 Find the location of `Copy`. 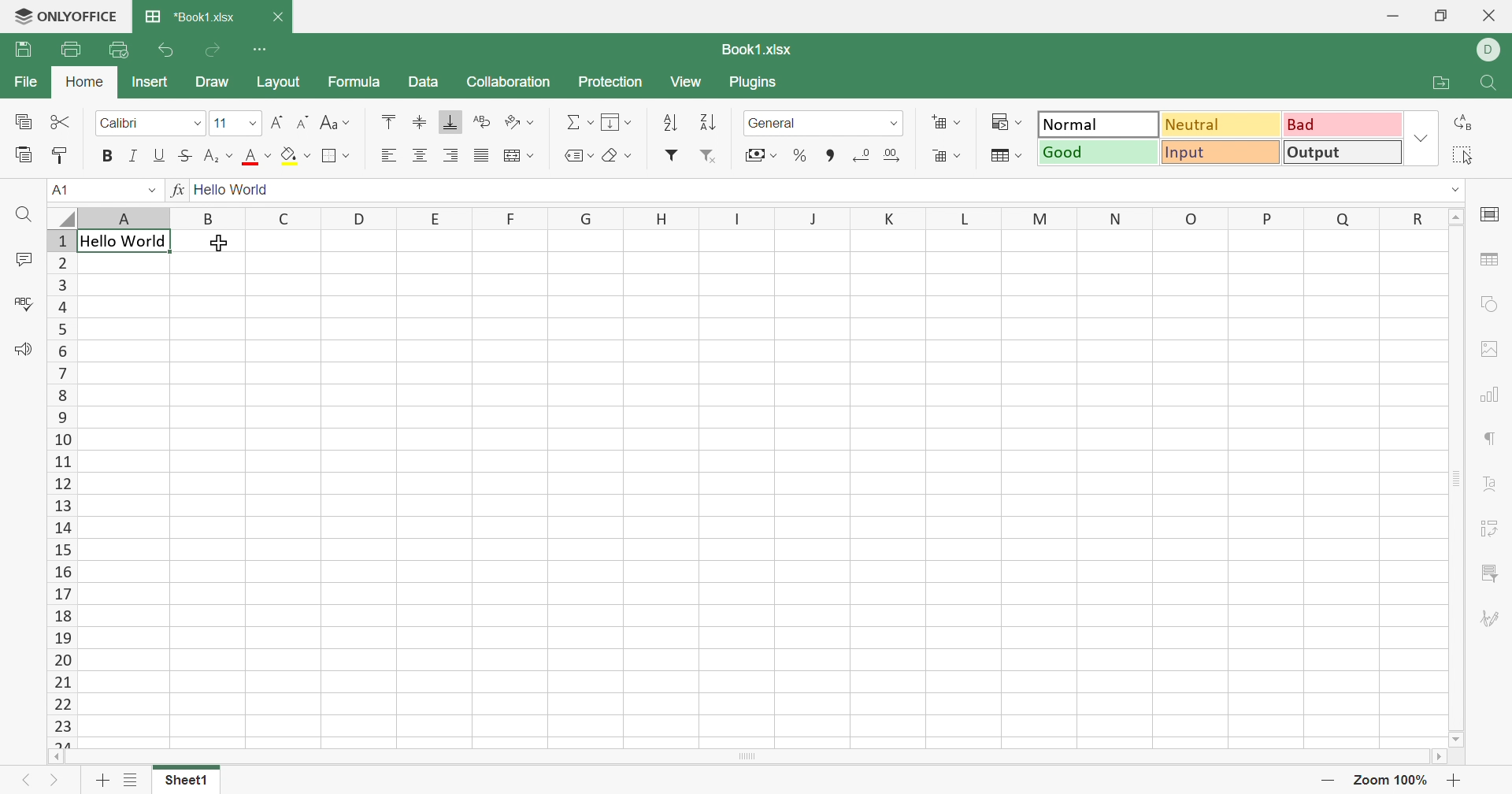

Copy is located at coordinates (24, 123).